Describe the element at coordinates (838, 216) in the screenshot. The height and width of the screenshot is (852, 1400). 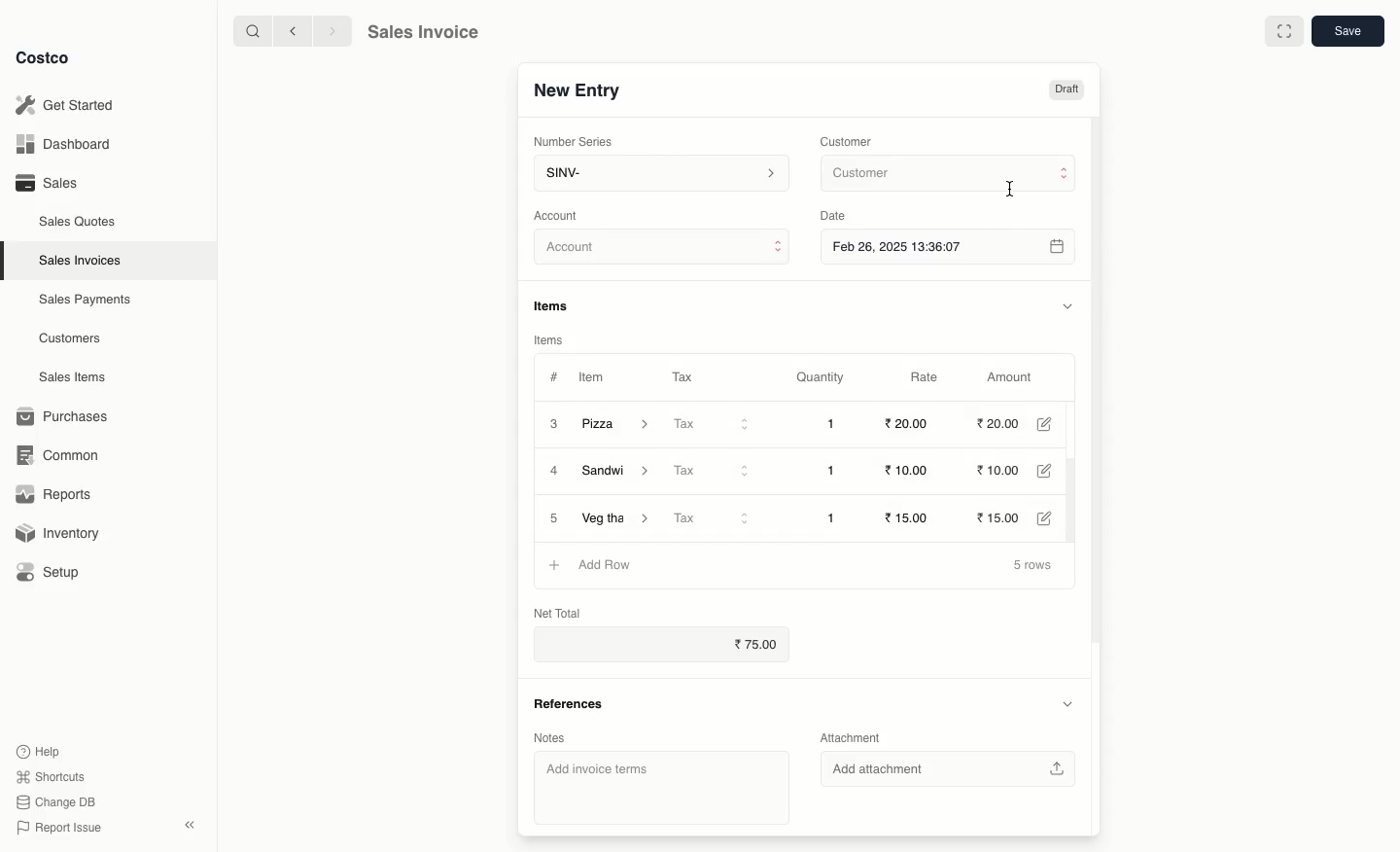
I see `Date` at that location.